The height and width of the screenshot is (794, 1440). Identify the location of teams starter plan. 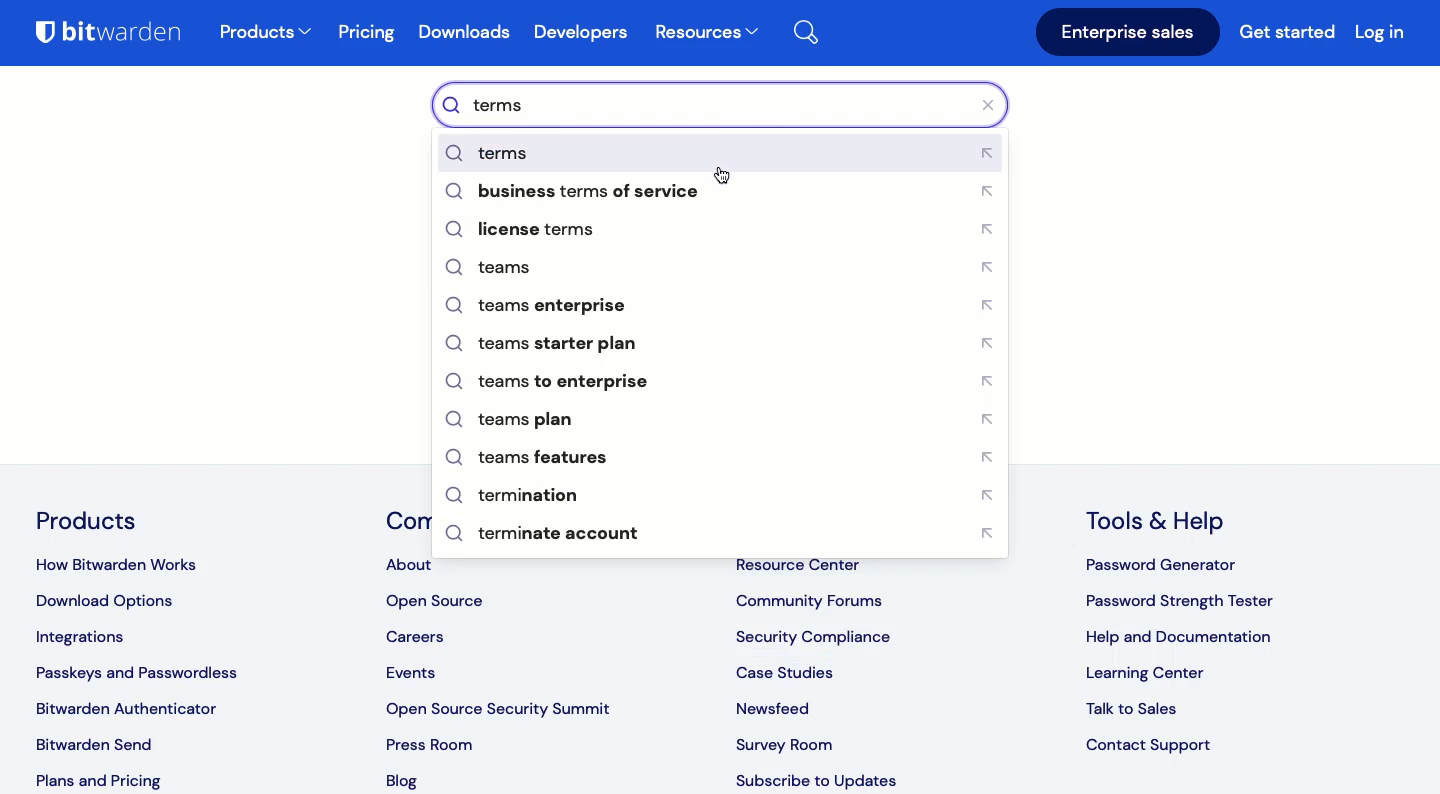
(726, 345).